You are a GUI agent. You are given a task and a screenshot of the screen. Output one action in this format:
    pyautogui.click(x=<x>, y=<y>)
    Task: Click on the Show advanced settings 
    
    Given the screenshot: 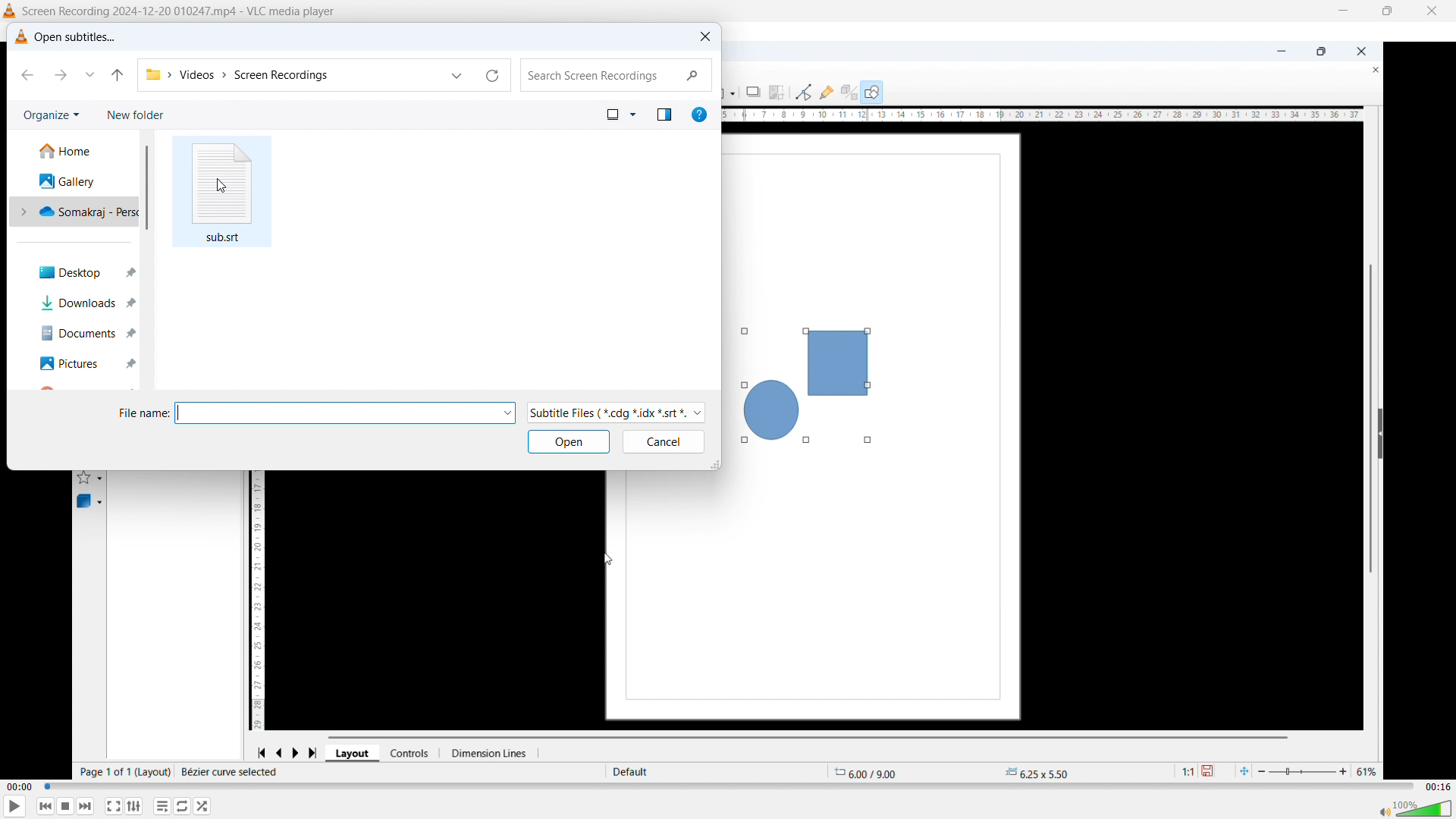 What is the action you would take?
    pyautogui.click(x=134, y=806)
    